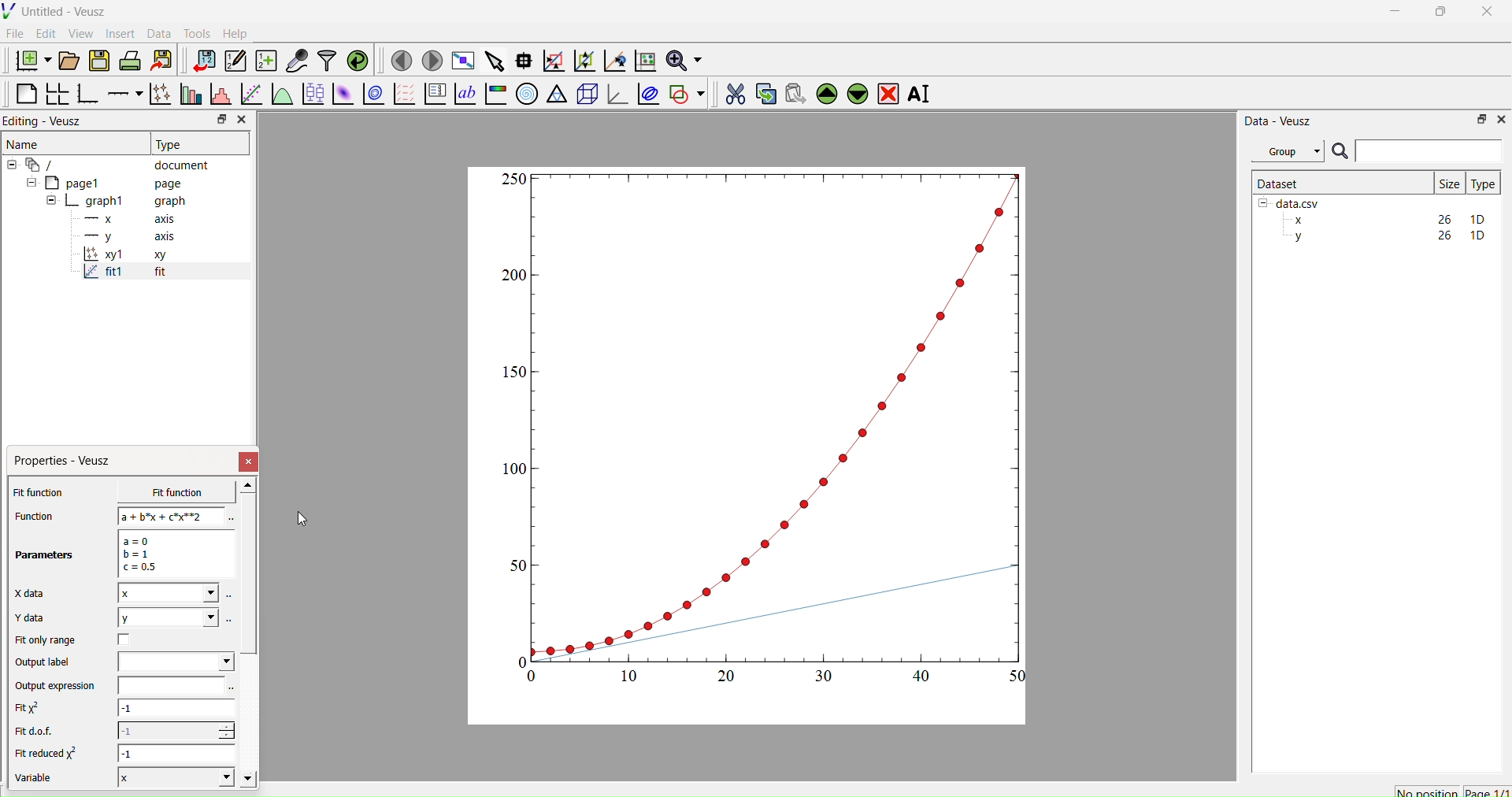 This screenshot has height=797, width=1512. What do you see at coordinates (172, 516) in the screenshot?
I see `a+b*x+c*x**2` at bounding box center [172, 516].